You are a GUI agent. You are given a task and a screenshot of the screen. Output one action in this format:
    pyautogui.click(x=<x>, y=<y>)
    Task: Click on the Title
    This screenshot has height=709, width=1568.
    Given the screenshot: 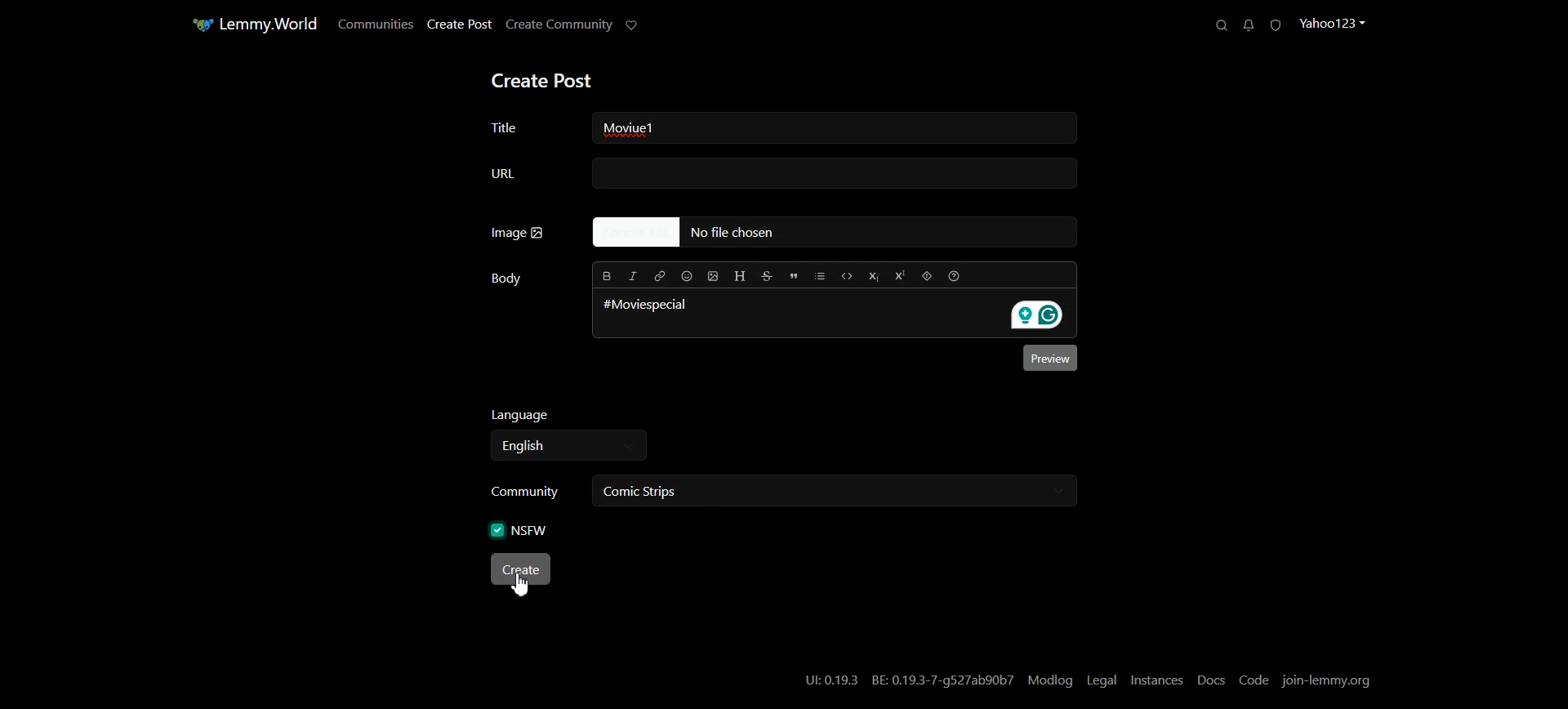 What is the action you would take?
    pyautogui.click(x=523, y=126)
    